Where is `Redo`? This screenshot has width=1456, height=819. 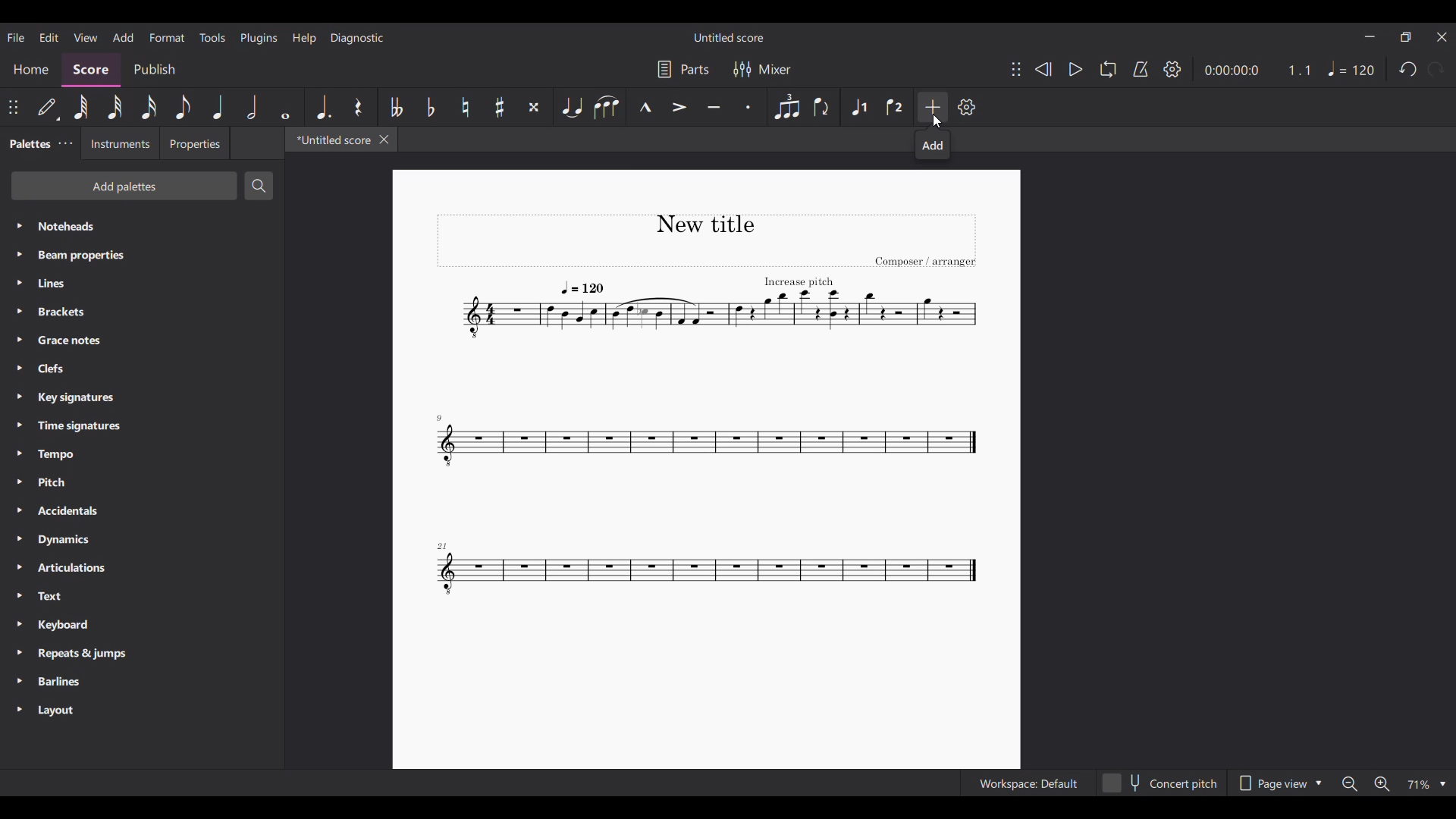 Redo is located at coordinates (1436, 69).